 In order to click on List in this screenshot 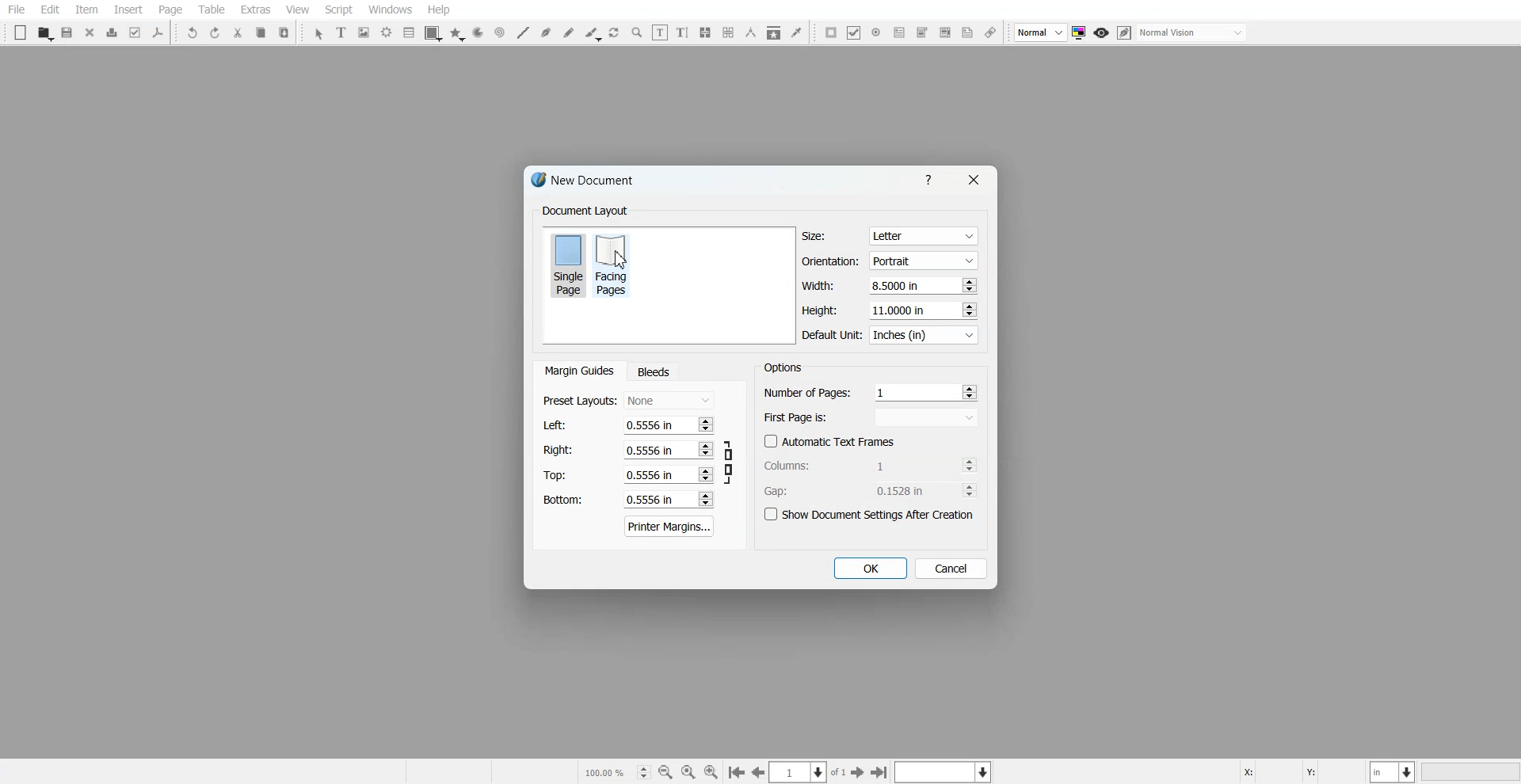, I will do `click(410, 32)`.